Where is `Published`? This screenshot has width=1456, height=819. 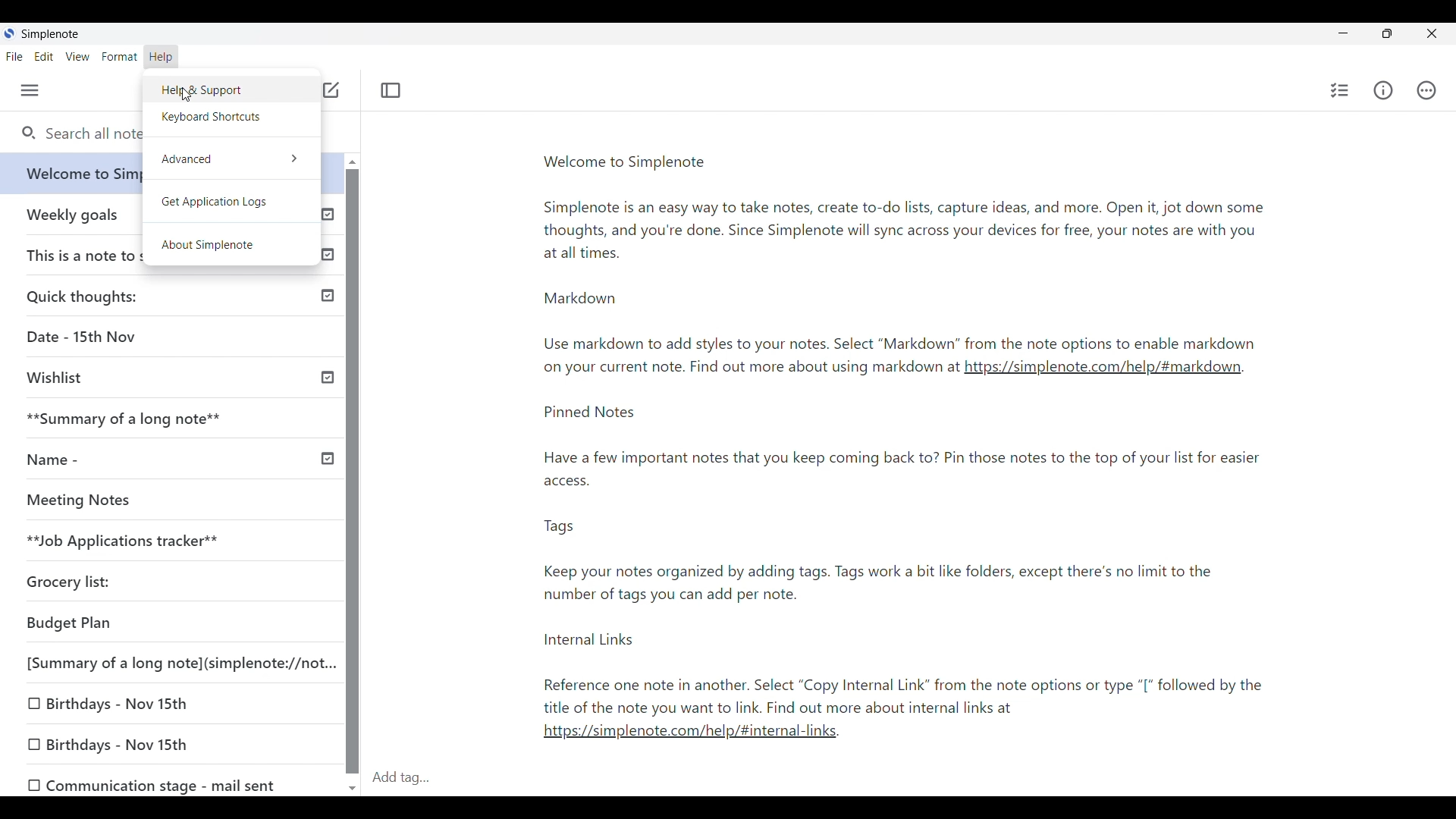 Published is located at coordinates (328, 251).